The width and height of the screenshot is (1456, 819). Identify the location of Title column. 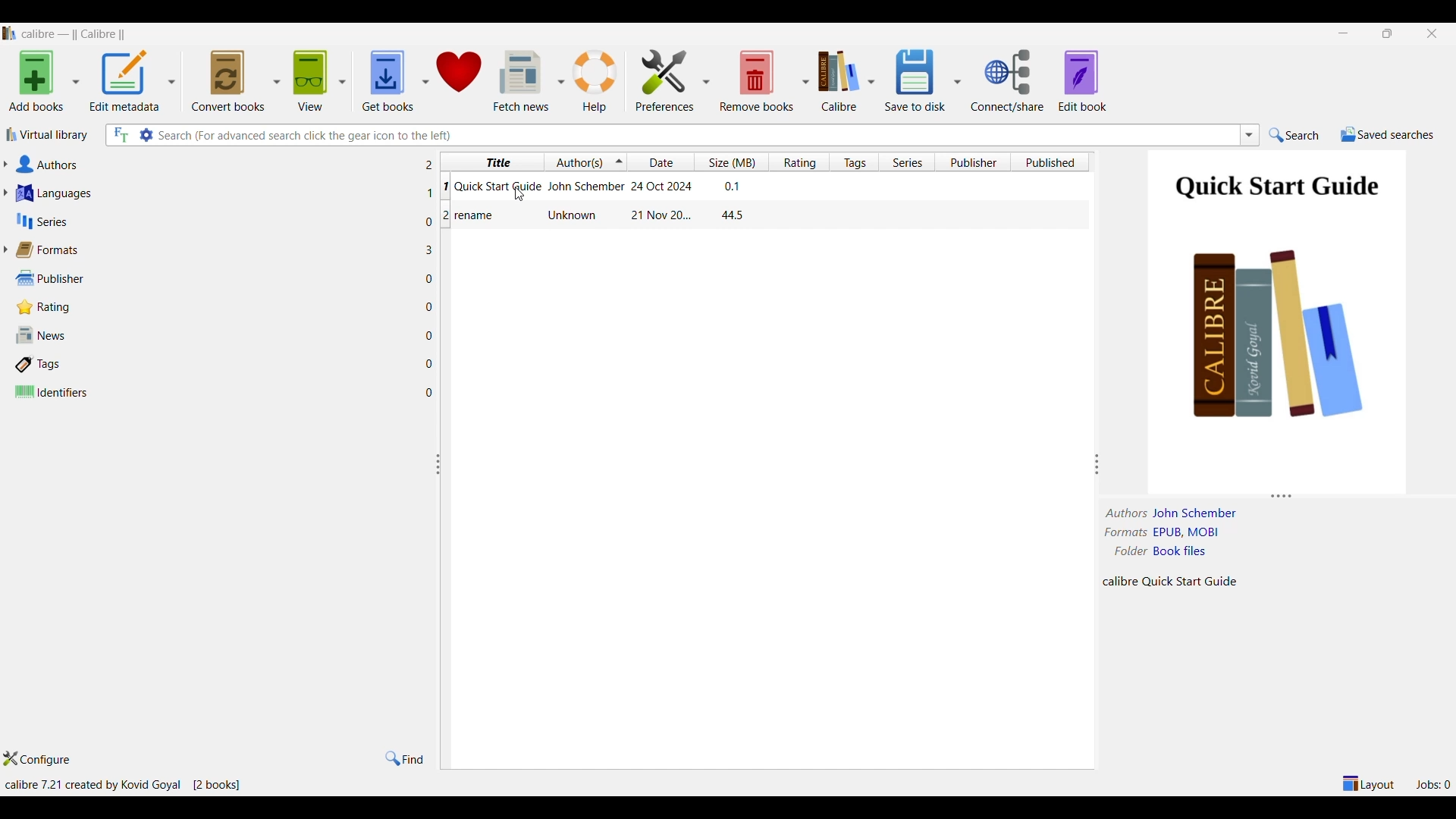
(492, 162).